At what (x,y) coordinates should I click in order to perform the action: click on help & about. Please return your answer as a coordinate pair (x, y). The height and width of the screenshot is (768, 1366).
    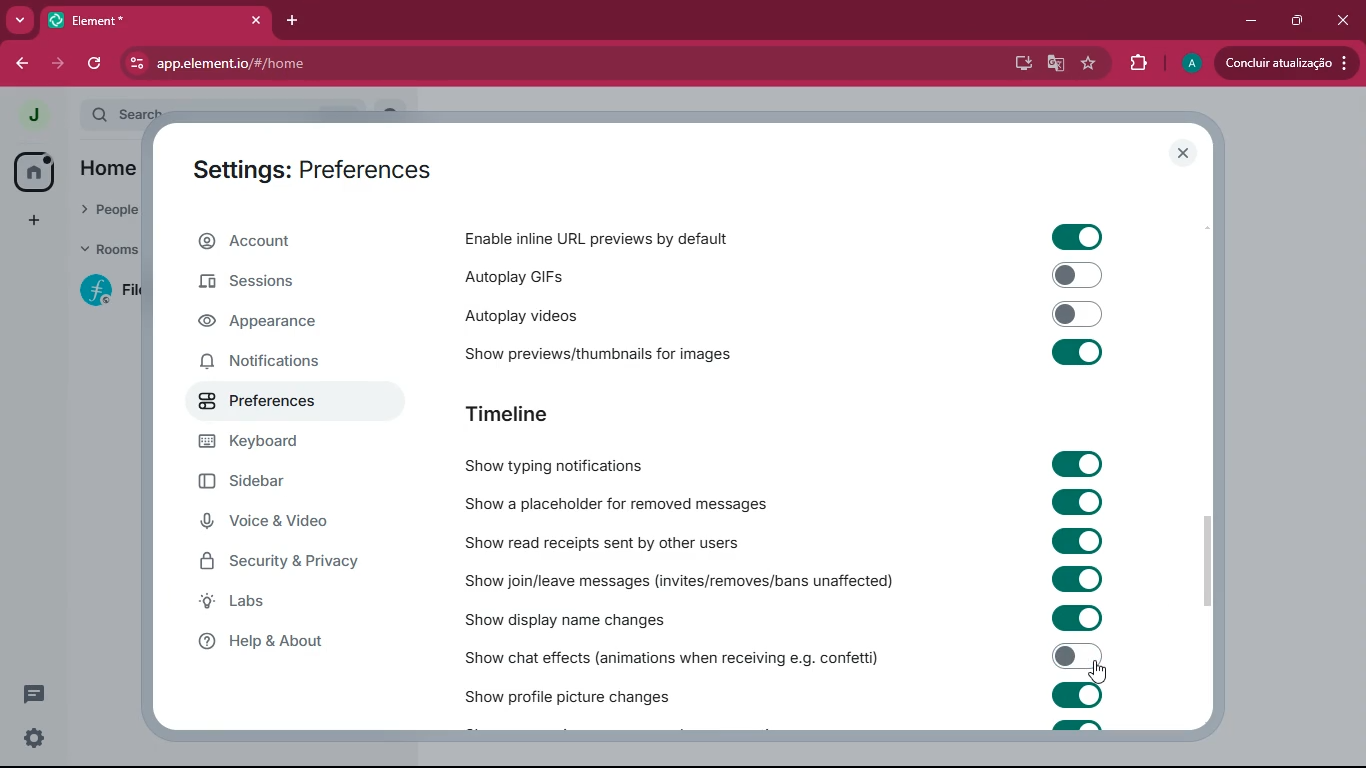
    Looking at the image, I should click on (288, 639).